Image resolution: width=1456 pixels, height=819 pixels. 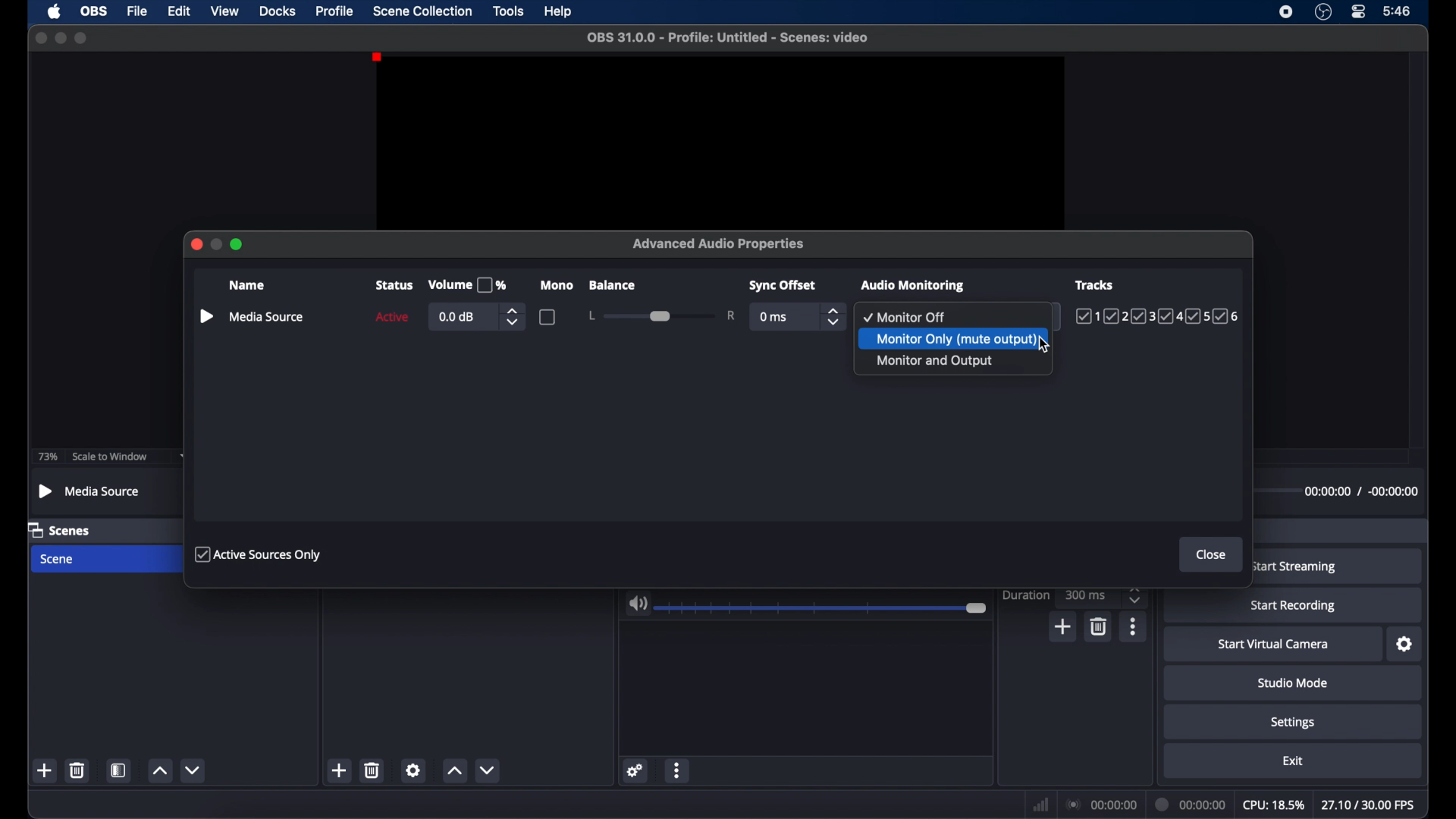 What do you see at coordinates (119, 770) in the screenshot?
I see `scene filters` at bounding box center [119, 770].